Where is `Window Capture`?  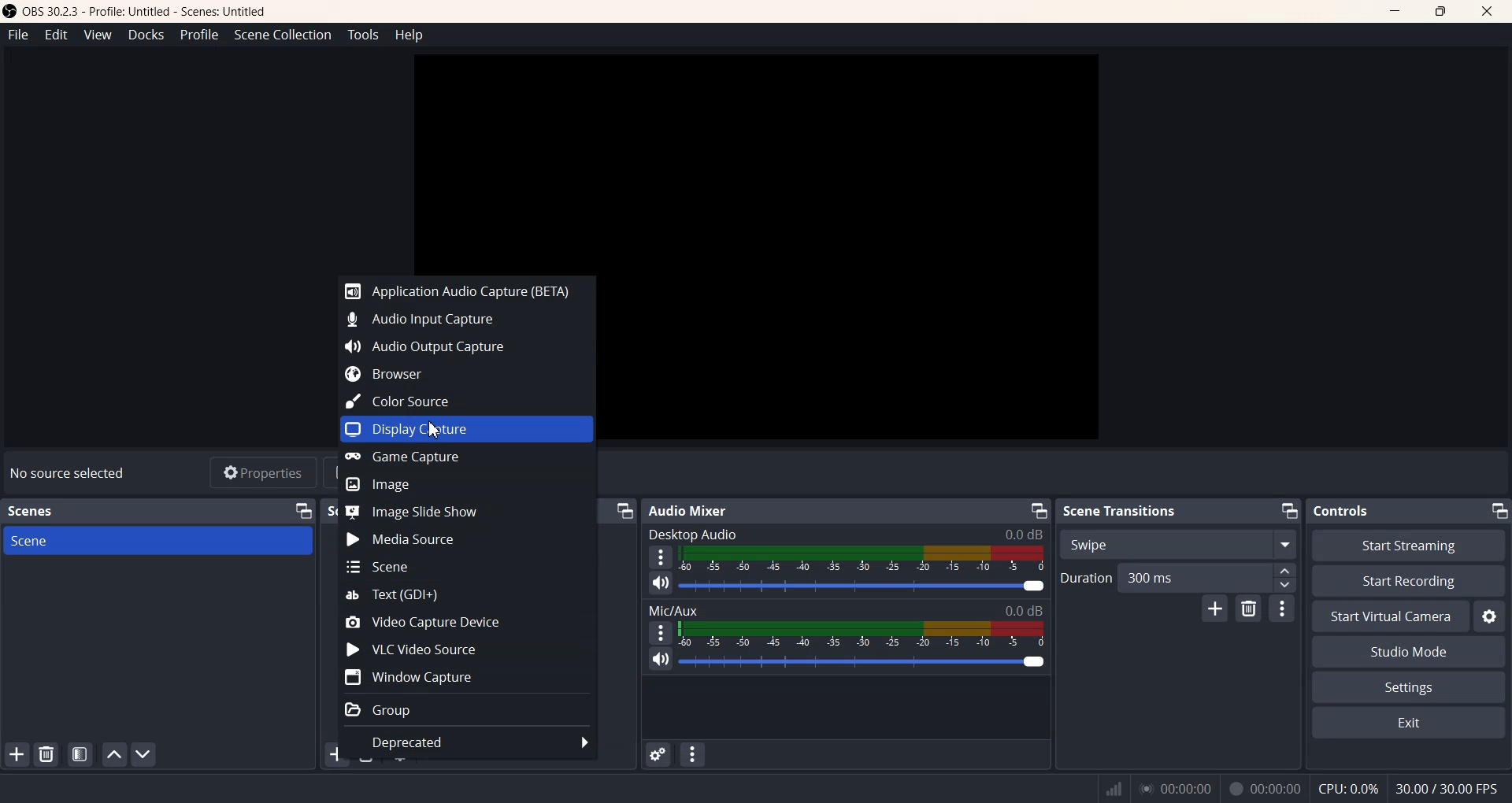 Window Capture is located at coordinates (467, 675).